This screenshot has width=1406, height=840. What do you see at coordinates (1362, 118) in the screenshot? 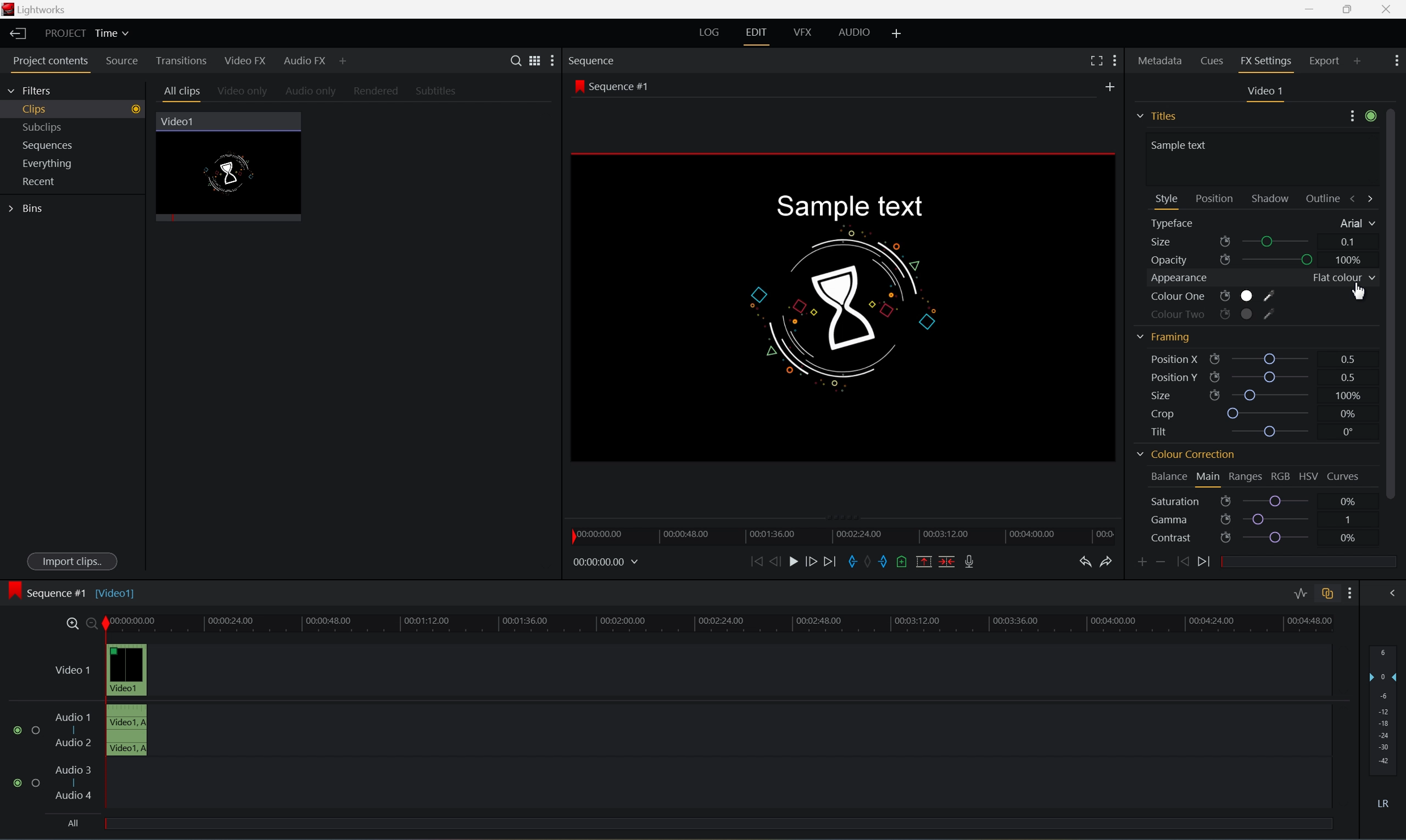
I see `more` at bounding box center [1362, 118].